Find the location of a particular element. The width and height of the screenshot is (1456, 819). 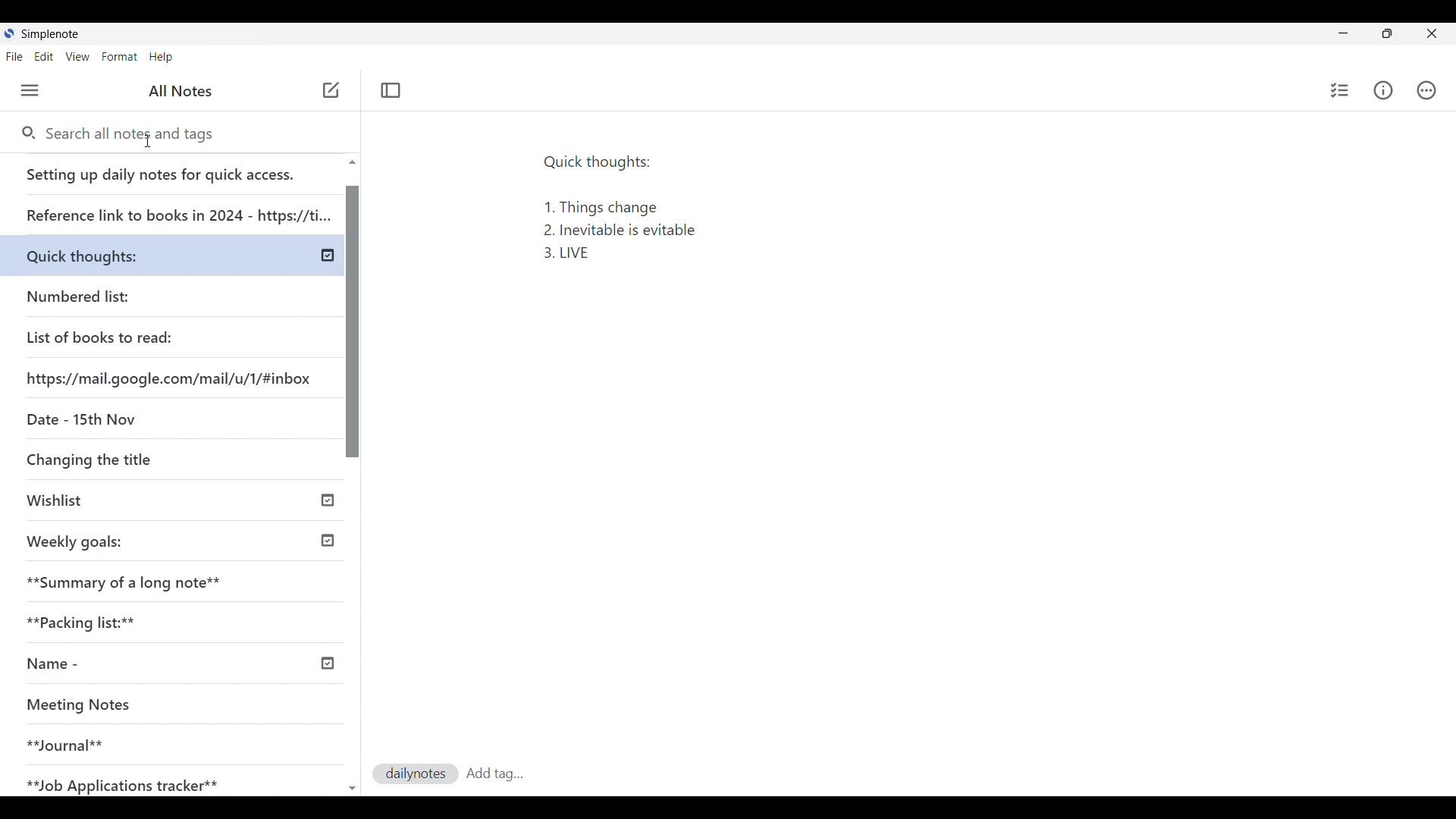

Info is located at coordinates (1382, 91).